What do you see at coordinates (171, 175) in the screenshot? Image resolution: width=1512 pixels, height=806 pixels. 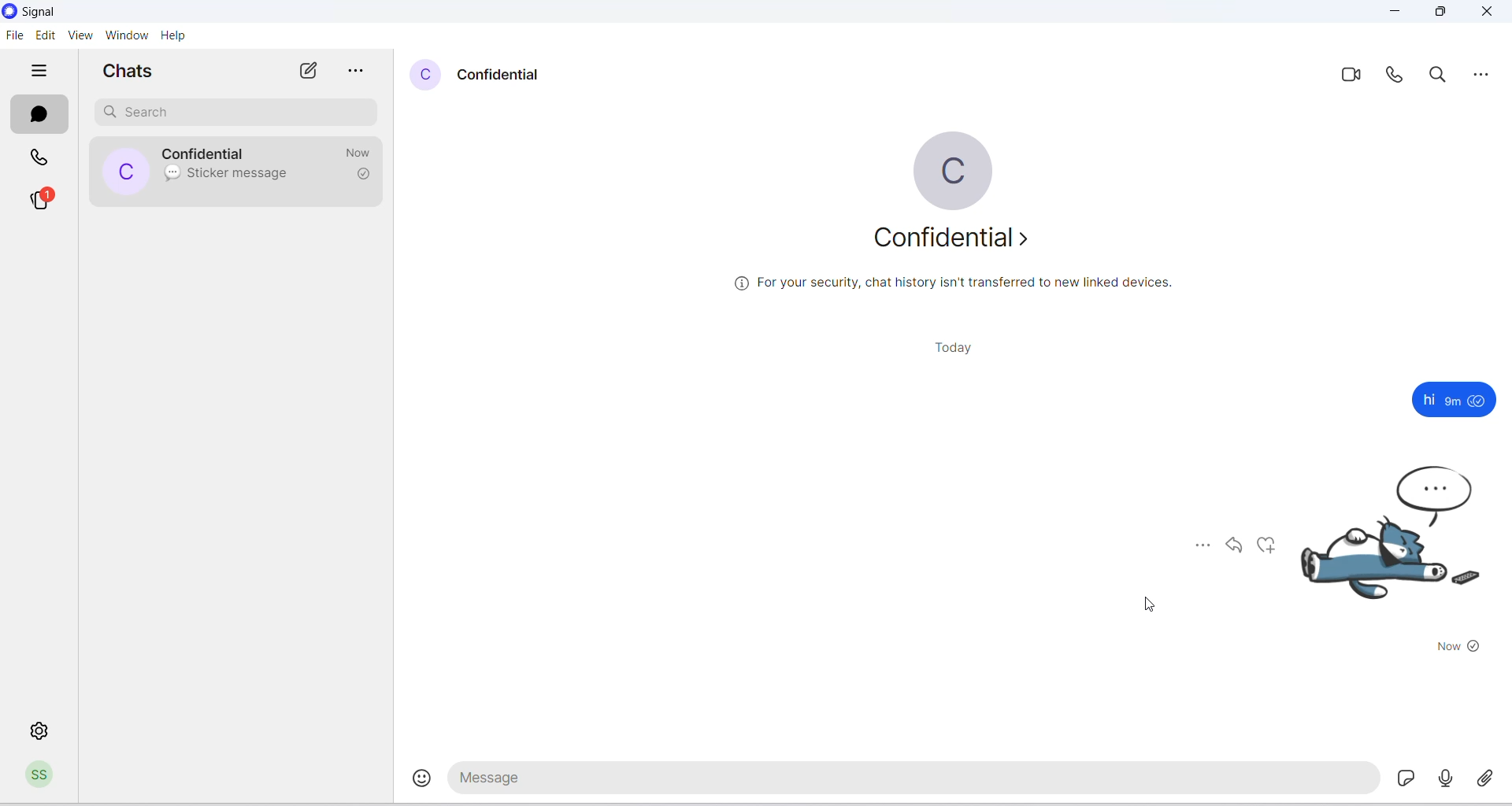 I see `last message` at bounding box center [171, 175].